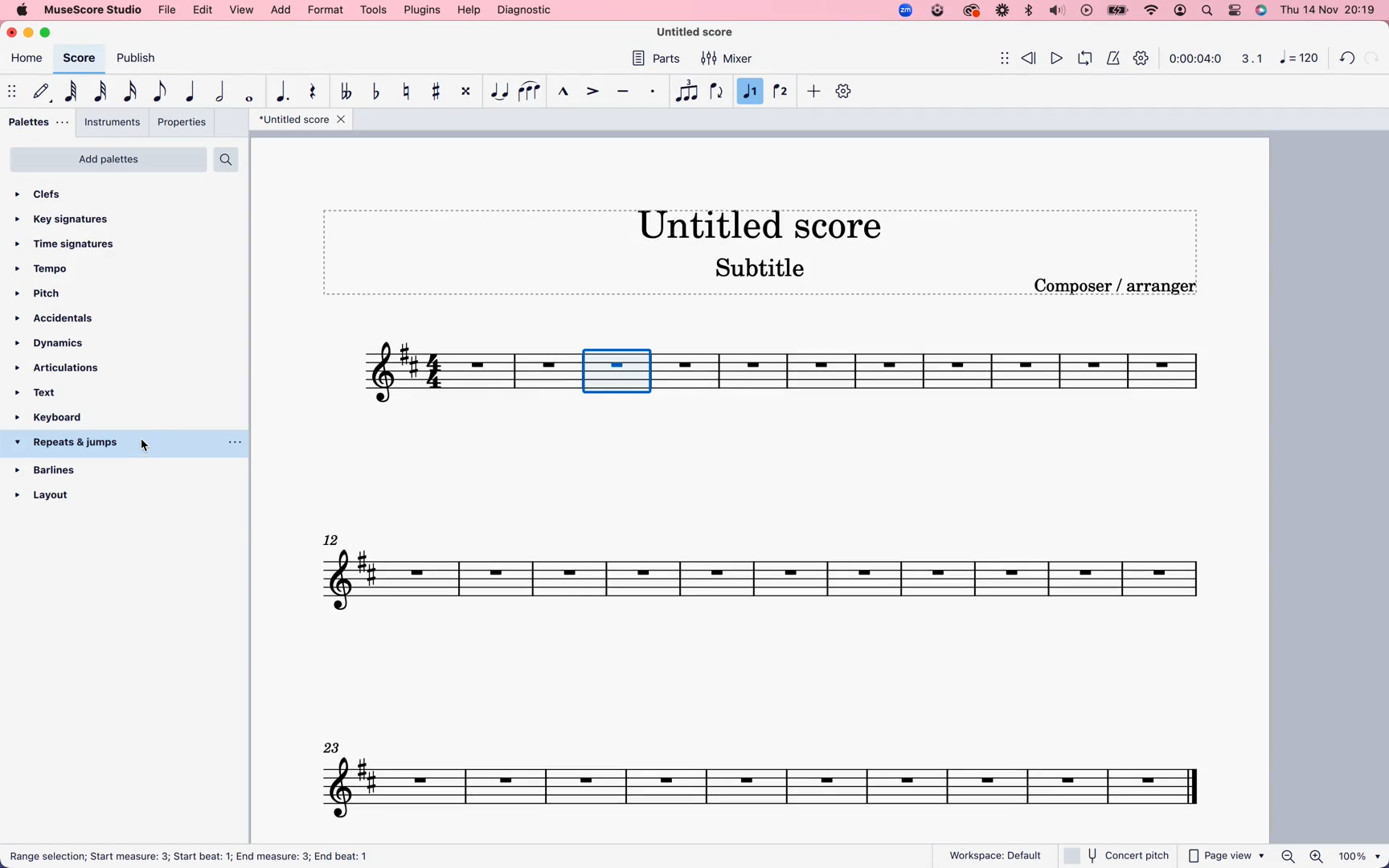 The image size is (1389, 868). Describe the element at coordinates (1057, 56) in the screenshot. I see `play` at that location.